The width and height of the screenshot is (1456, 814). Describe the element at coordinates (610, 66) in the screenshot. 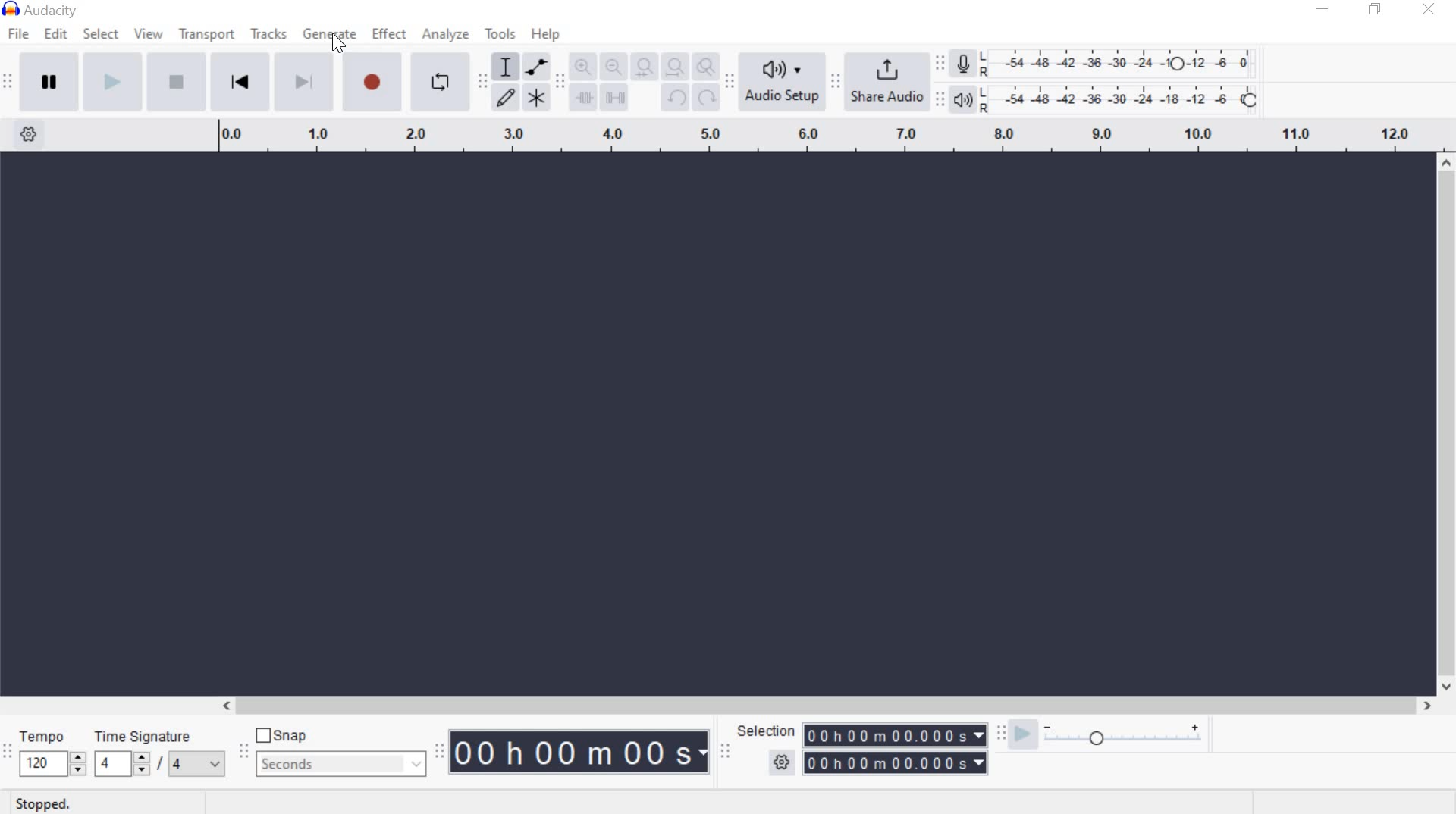

I see `Zoom Out` at that location.